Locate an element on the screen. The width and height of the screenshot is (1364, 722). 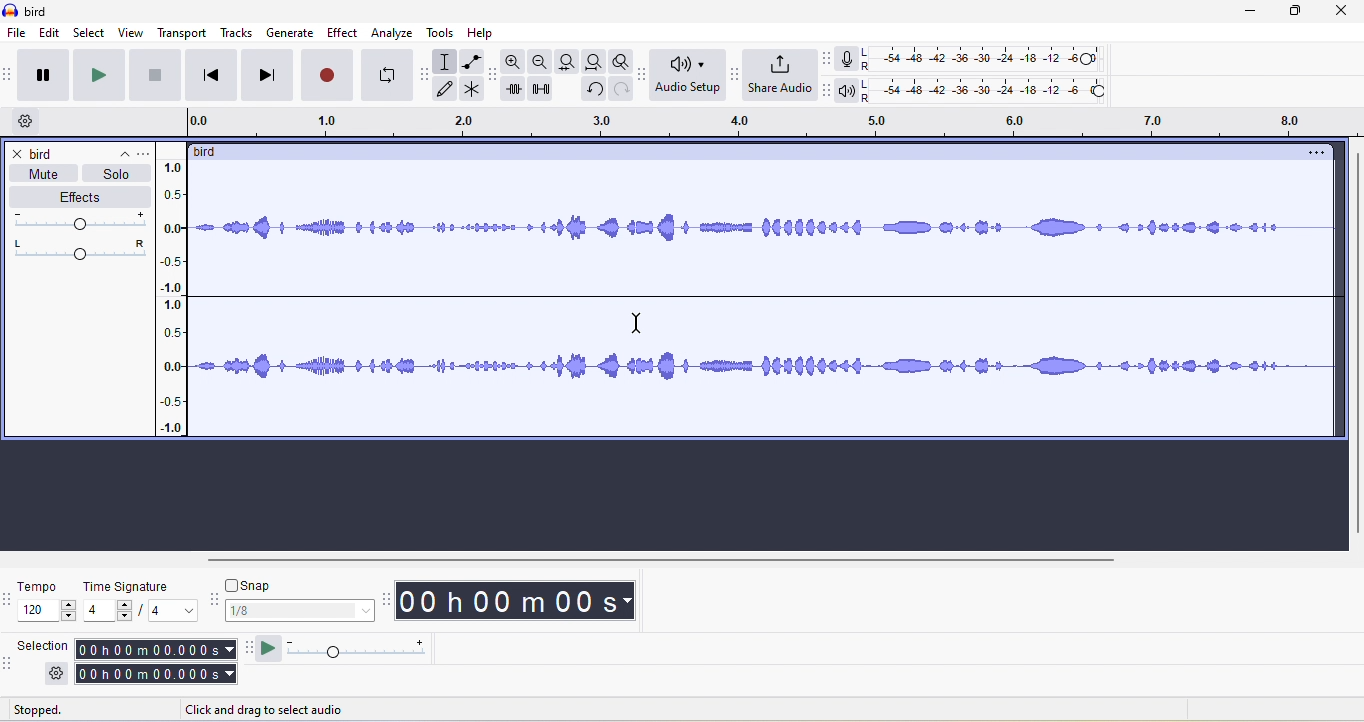
timer is located at coordinates (515, 600).